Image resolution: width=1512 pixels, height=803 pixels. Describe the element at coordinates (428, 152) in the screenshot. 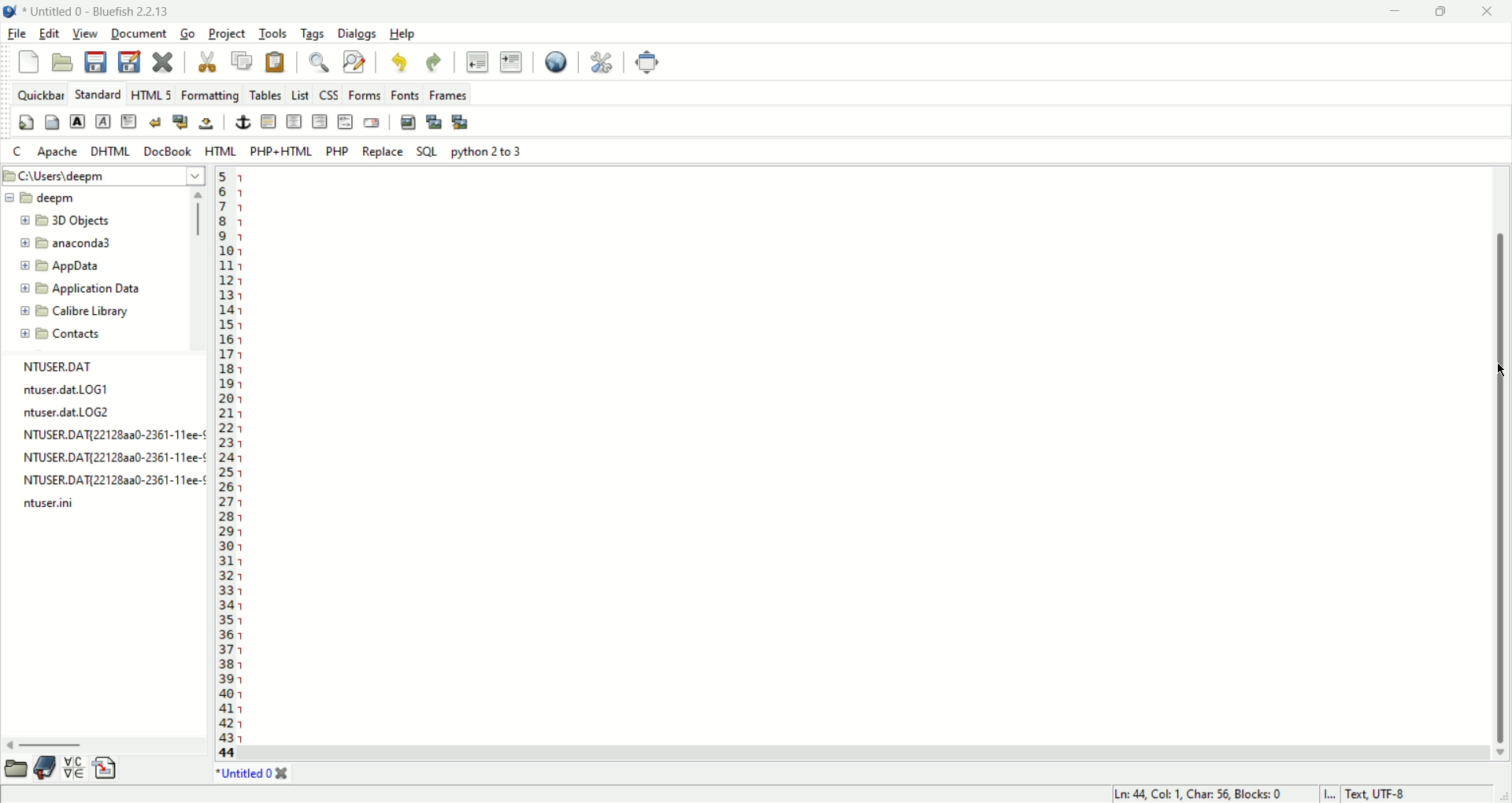

I see `SQL` at that location.